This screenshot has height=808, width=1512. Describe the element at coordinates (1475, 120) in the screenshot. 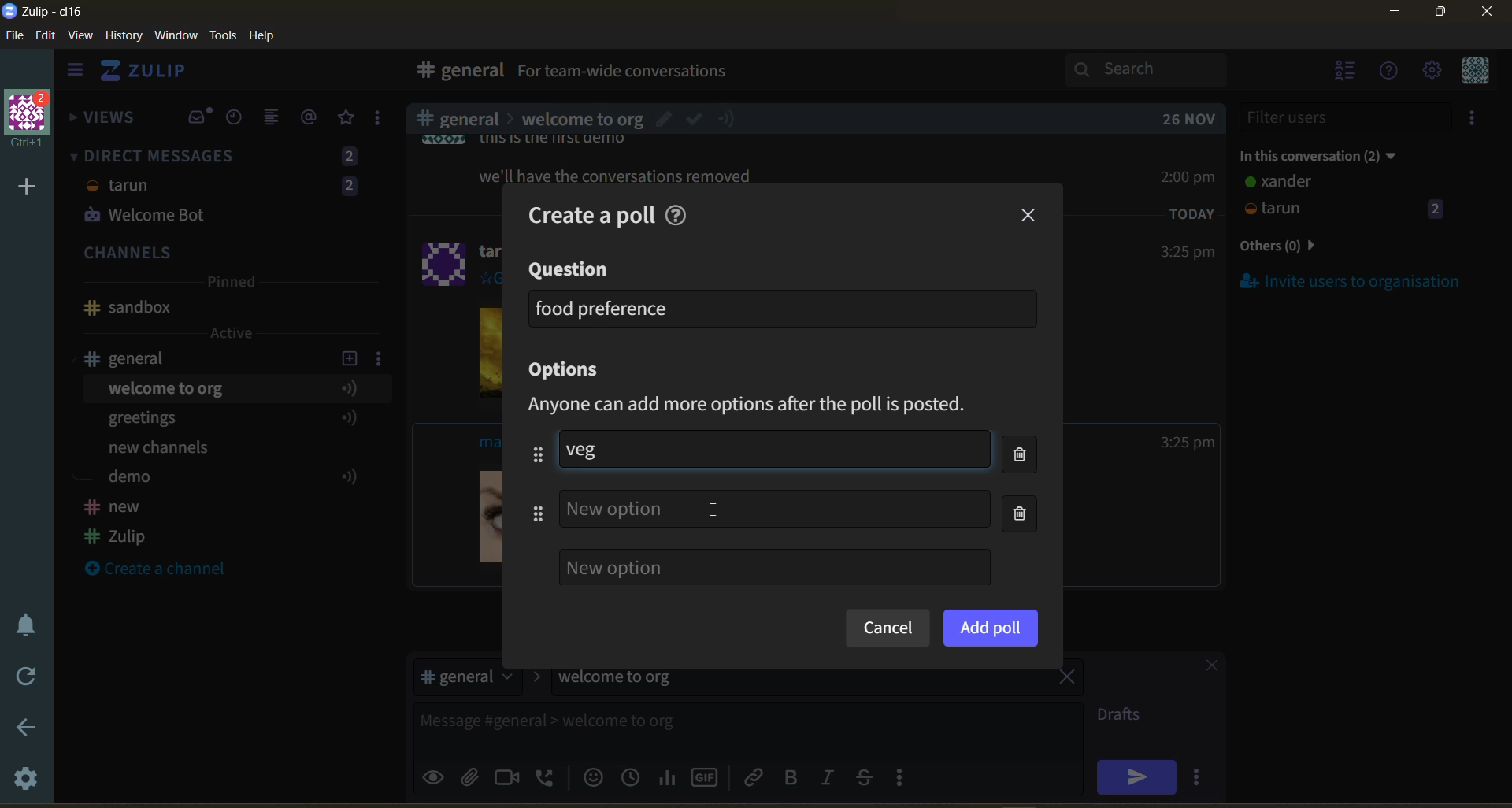

I see `invite users to organisation` at that location.